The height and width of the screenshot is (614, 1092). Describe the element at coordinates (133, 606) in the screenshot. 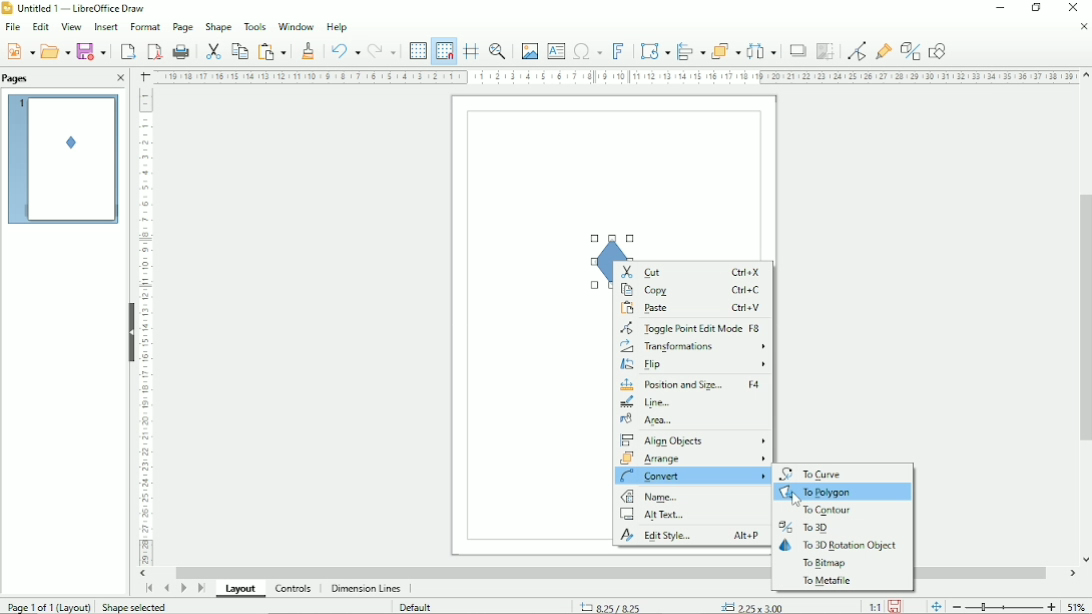

I see `Shape selected` at that location.